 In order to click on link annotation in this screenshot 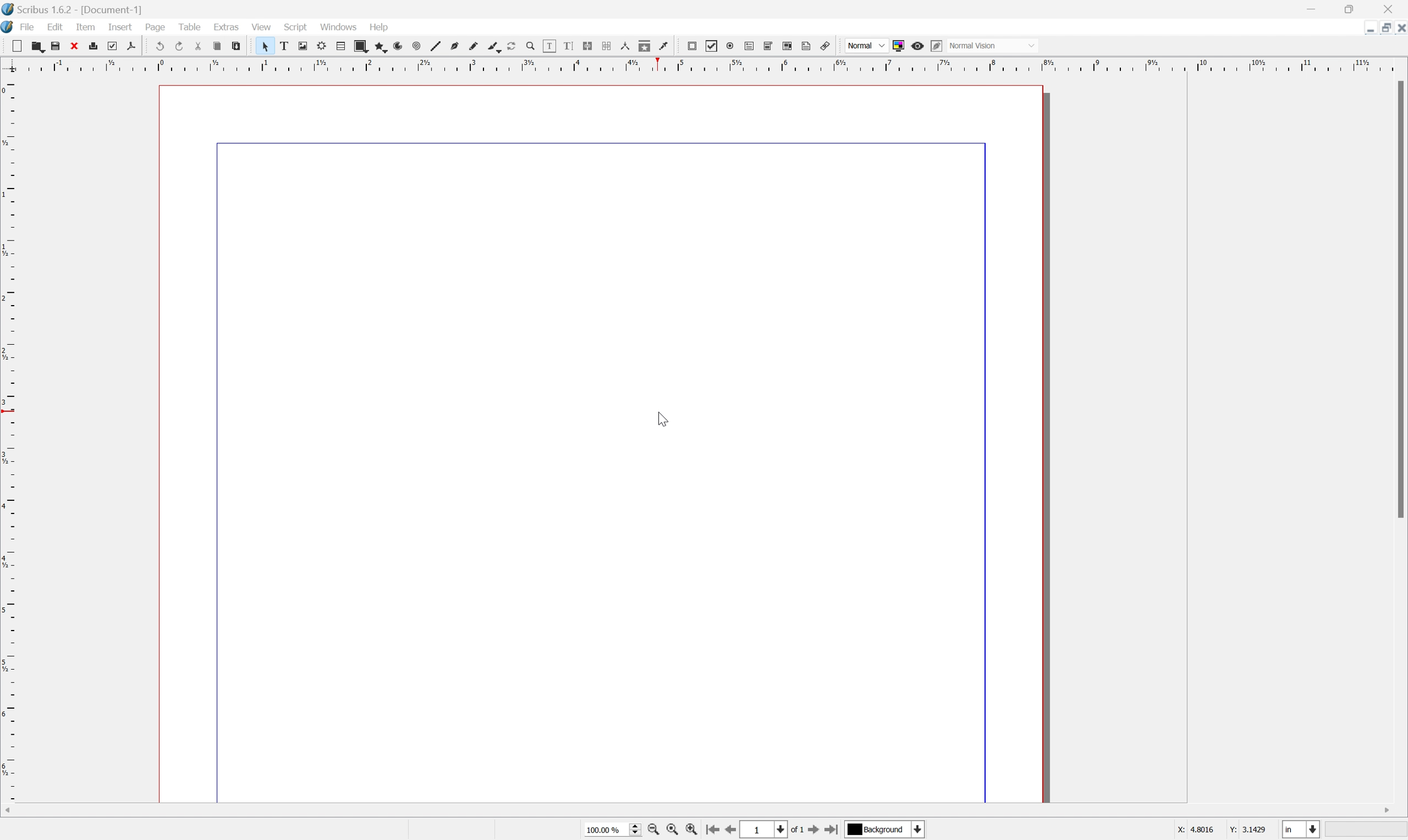, I will do `click(825, 46)`.